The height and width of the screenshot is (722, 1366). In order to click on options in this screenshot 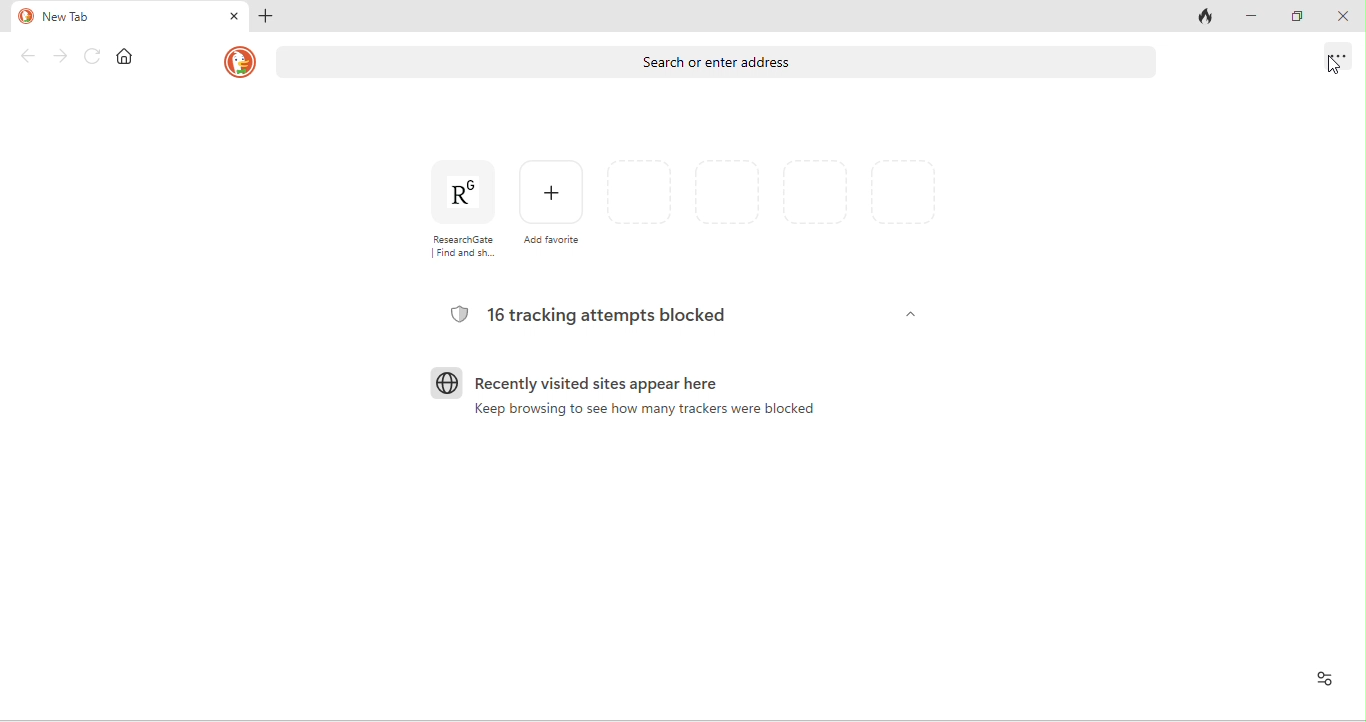, I will do `click(1332, 56)`.